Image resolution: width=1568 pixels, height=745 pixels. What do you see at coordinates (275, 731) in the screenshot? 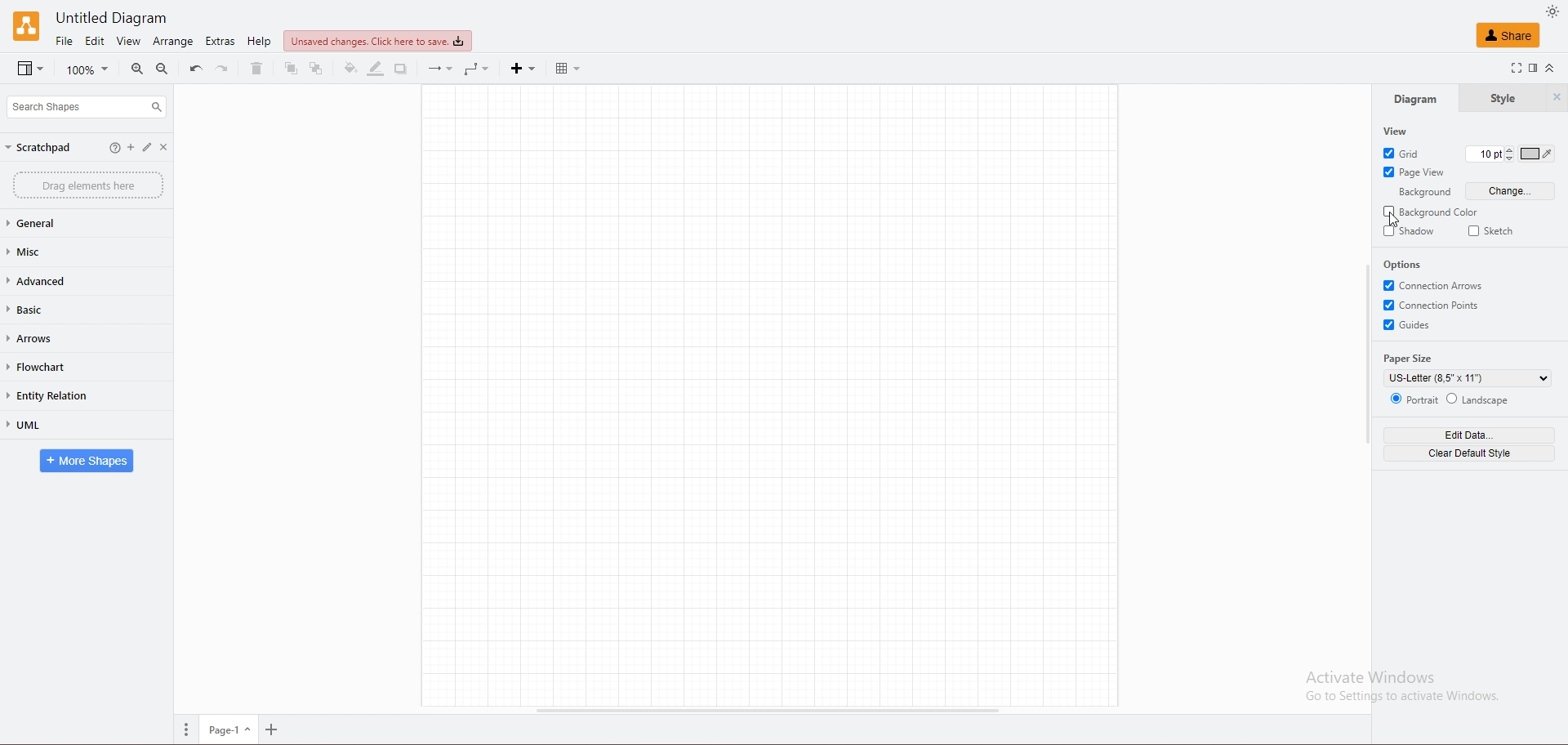
I see `add page` at bounding box center [275, 731].